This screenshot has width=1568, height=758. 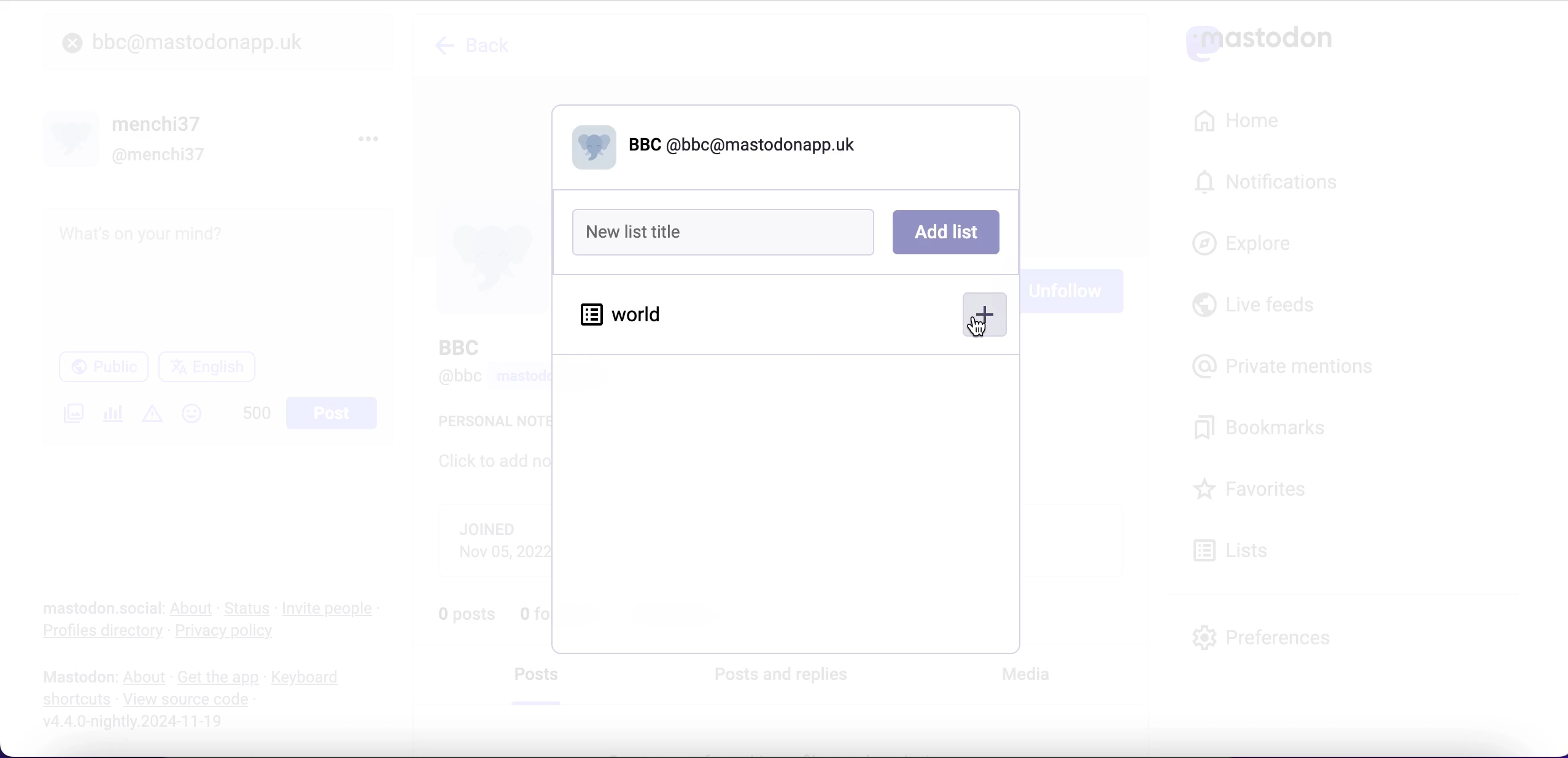 I want to click on add content warning, so click(x=155, y=415).